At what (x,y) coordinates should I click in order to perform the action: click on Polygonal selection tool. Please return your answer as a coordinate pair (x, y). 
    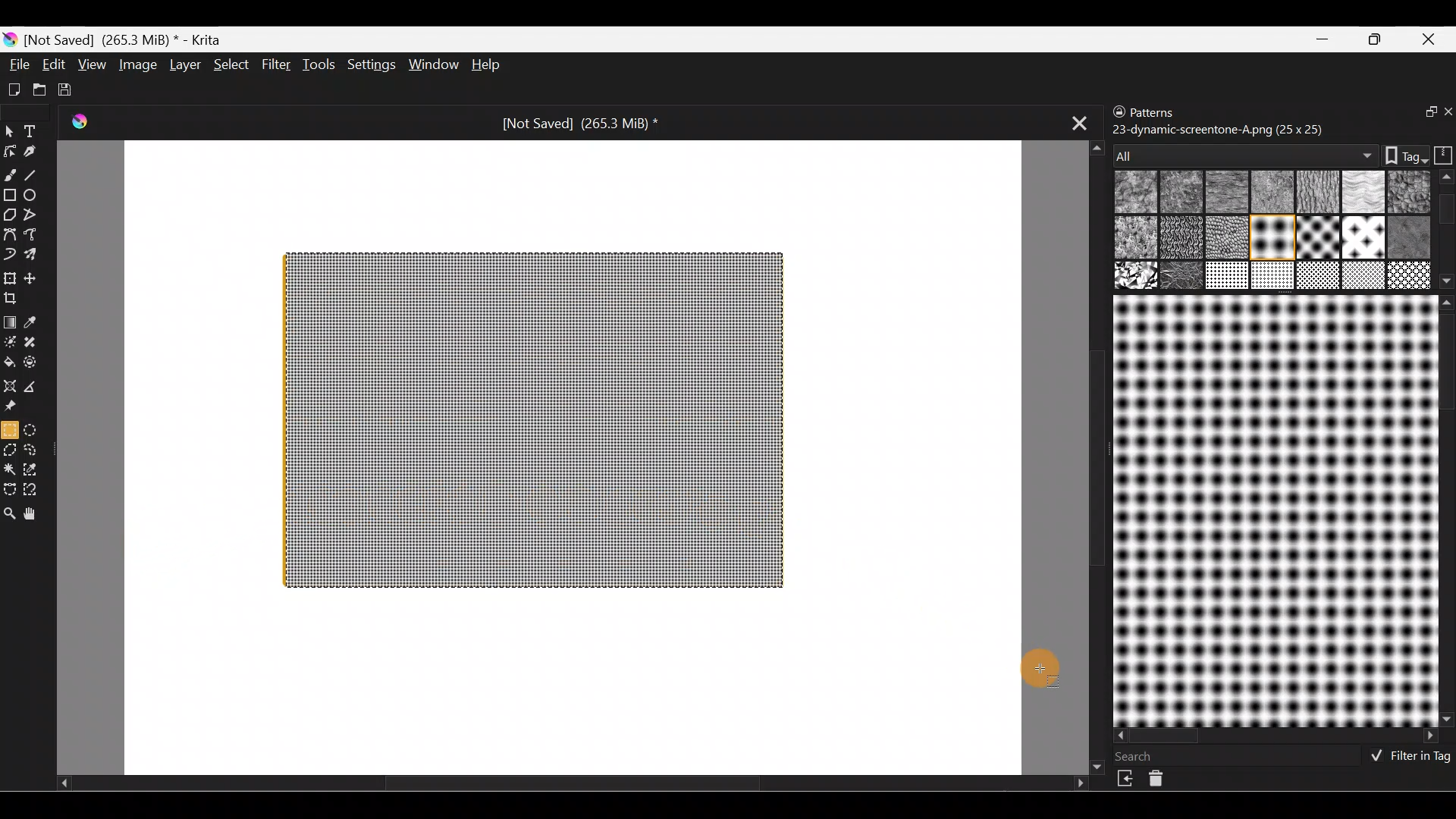
    Looking at the image, I should click on (11, 449).